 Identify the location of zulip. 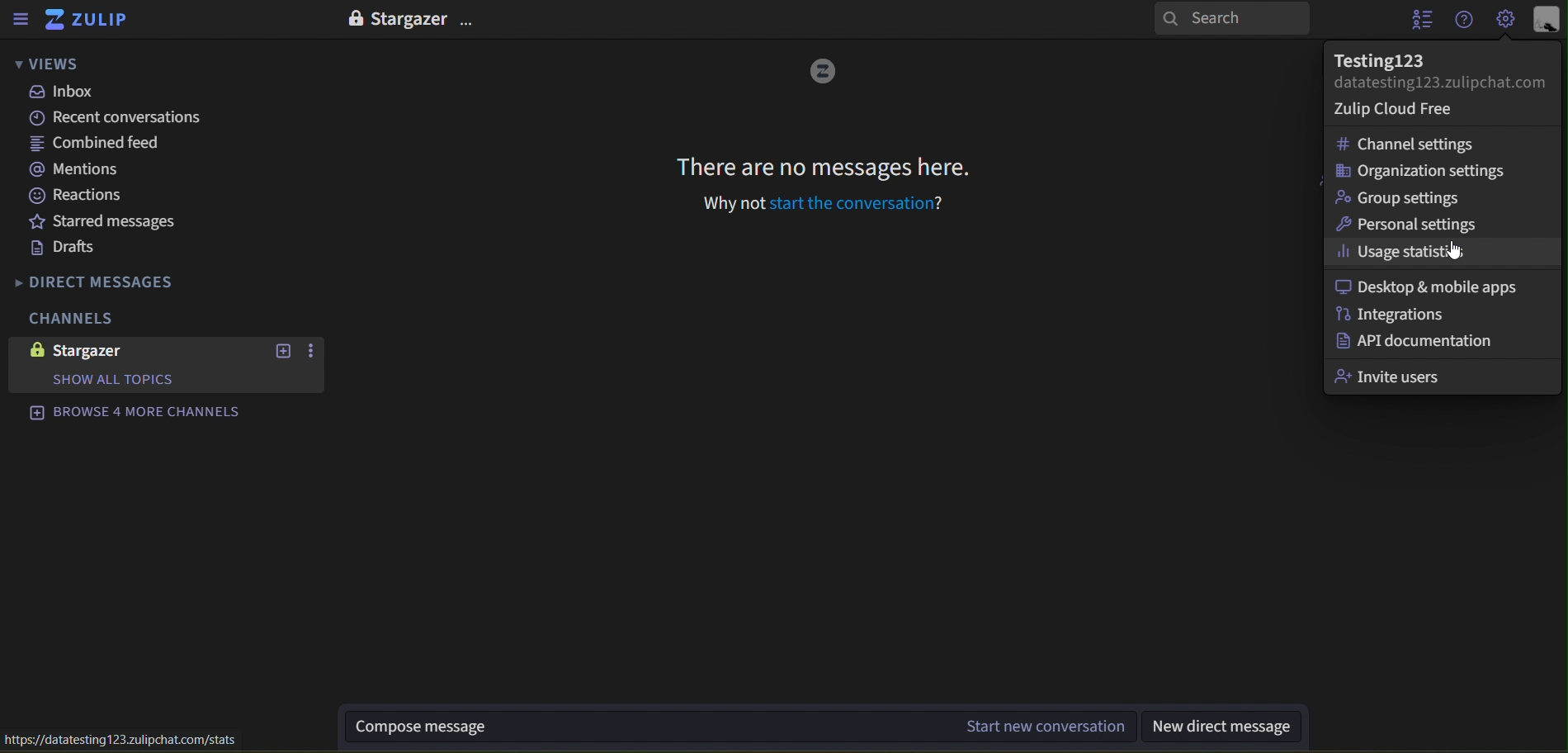
(92, 19).